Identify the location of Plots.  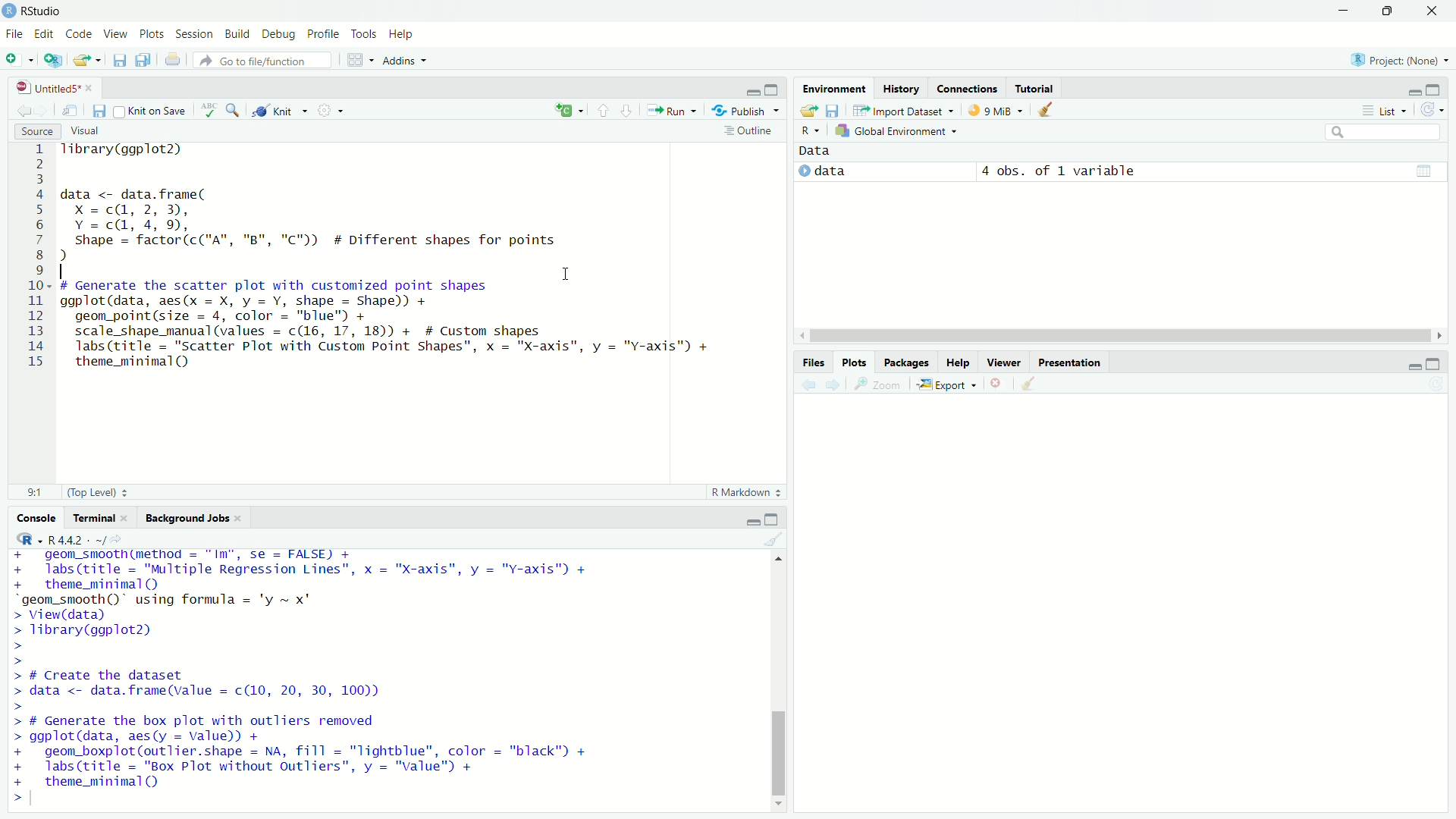
(152, 33).